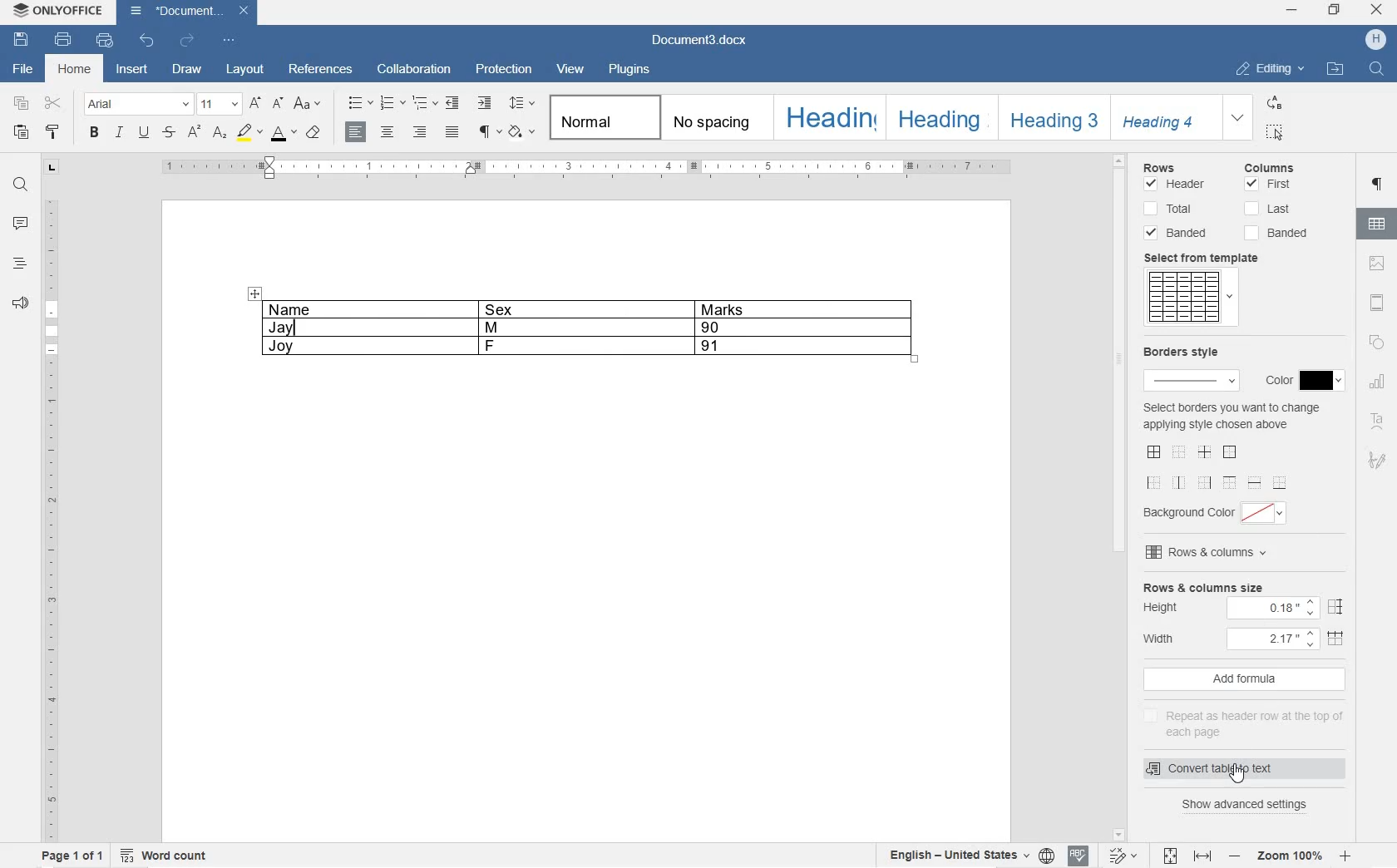 Image resolution: width=1397 pixels, height=868 pixels. Describe the element at coordinates (1167, 638) in the screenshot. I see `WIDTH` at that location.